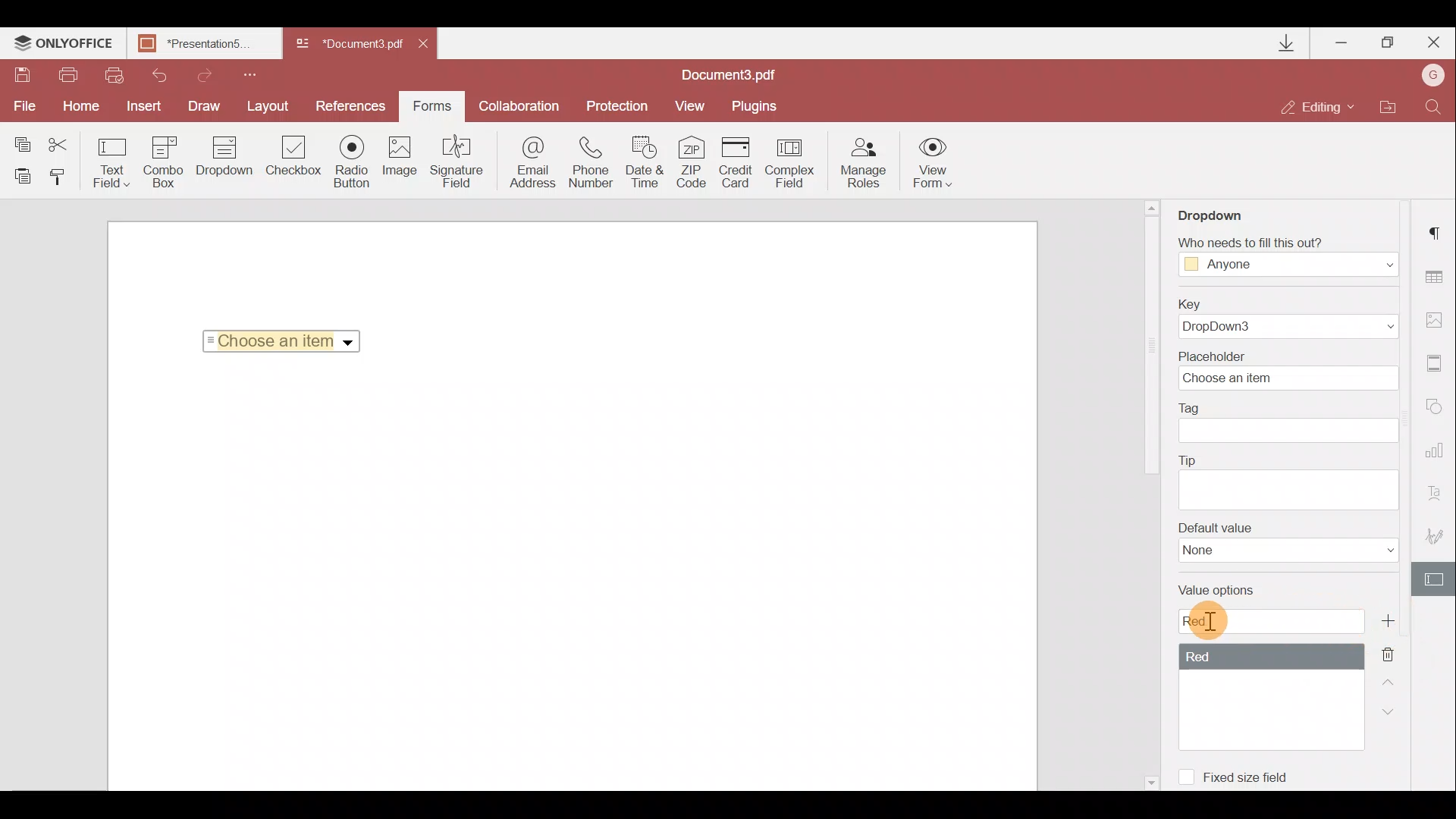 Image resolution: width=1456 pixels, height=819 pixels. I want to click on ONLYOFFICE, so click(64, 45).